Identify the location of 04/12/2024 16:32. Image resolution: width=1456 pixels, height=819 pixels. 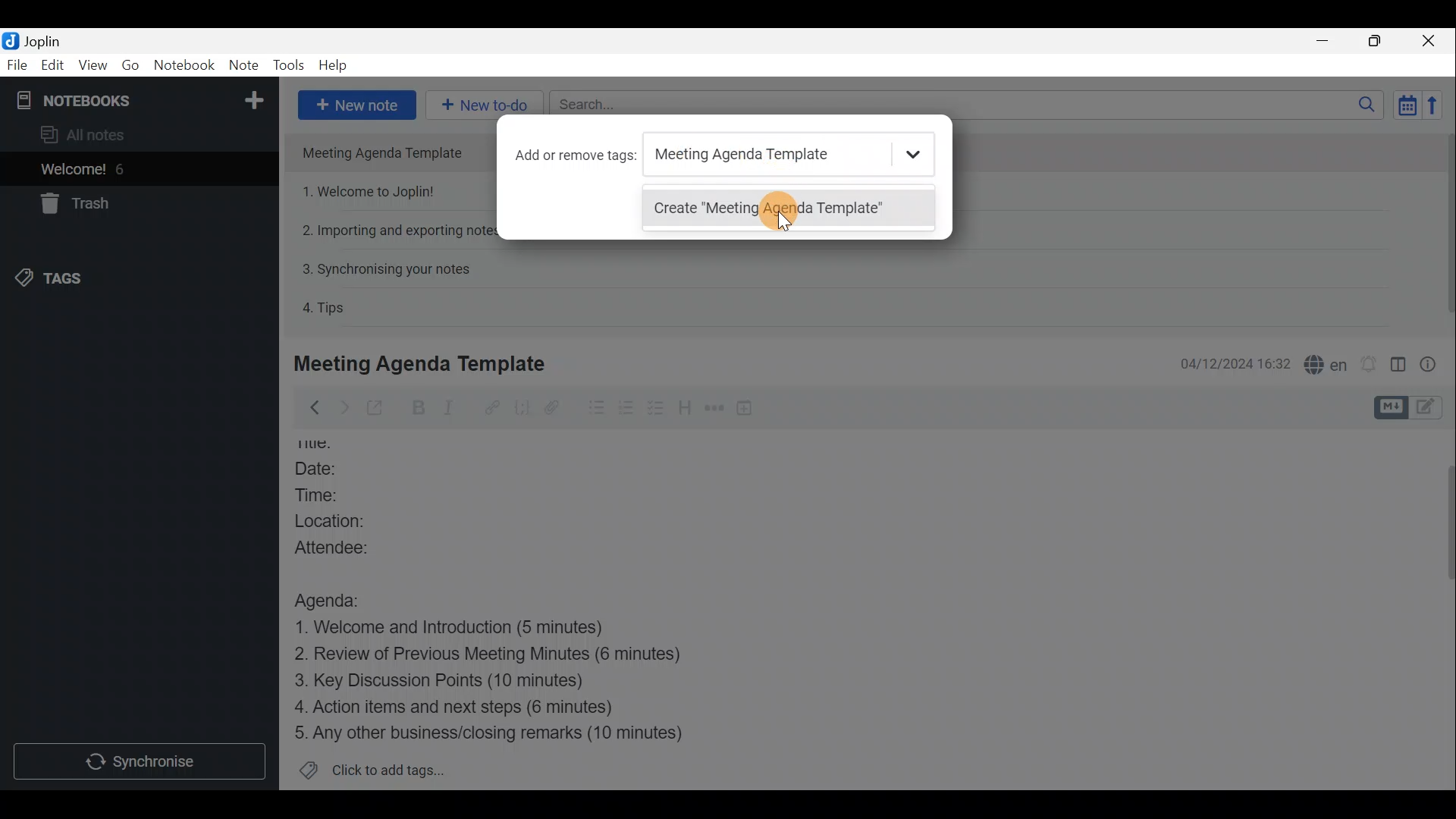
(1228, 362).